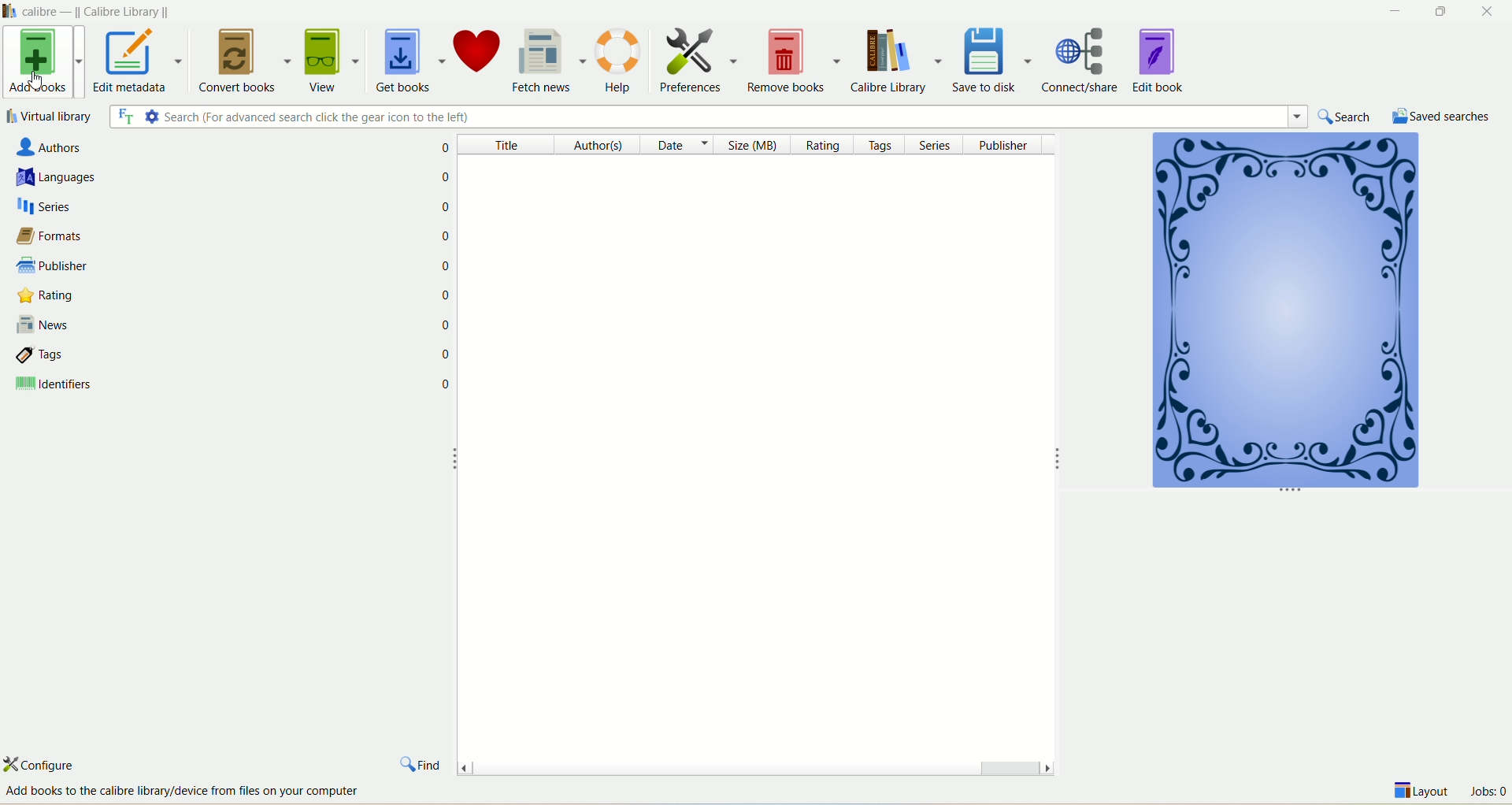  What do you see at coordinates (185, 148) in the screenshot?
I see `authors` at bounding box center [185, 148].